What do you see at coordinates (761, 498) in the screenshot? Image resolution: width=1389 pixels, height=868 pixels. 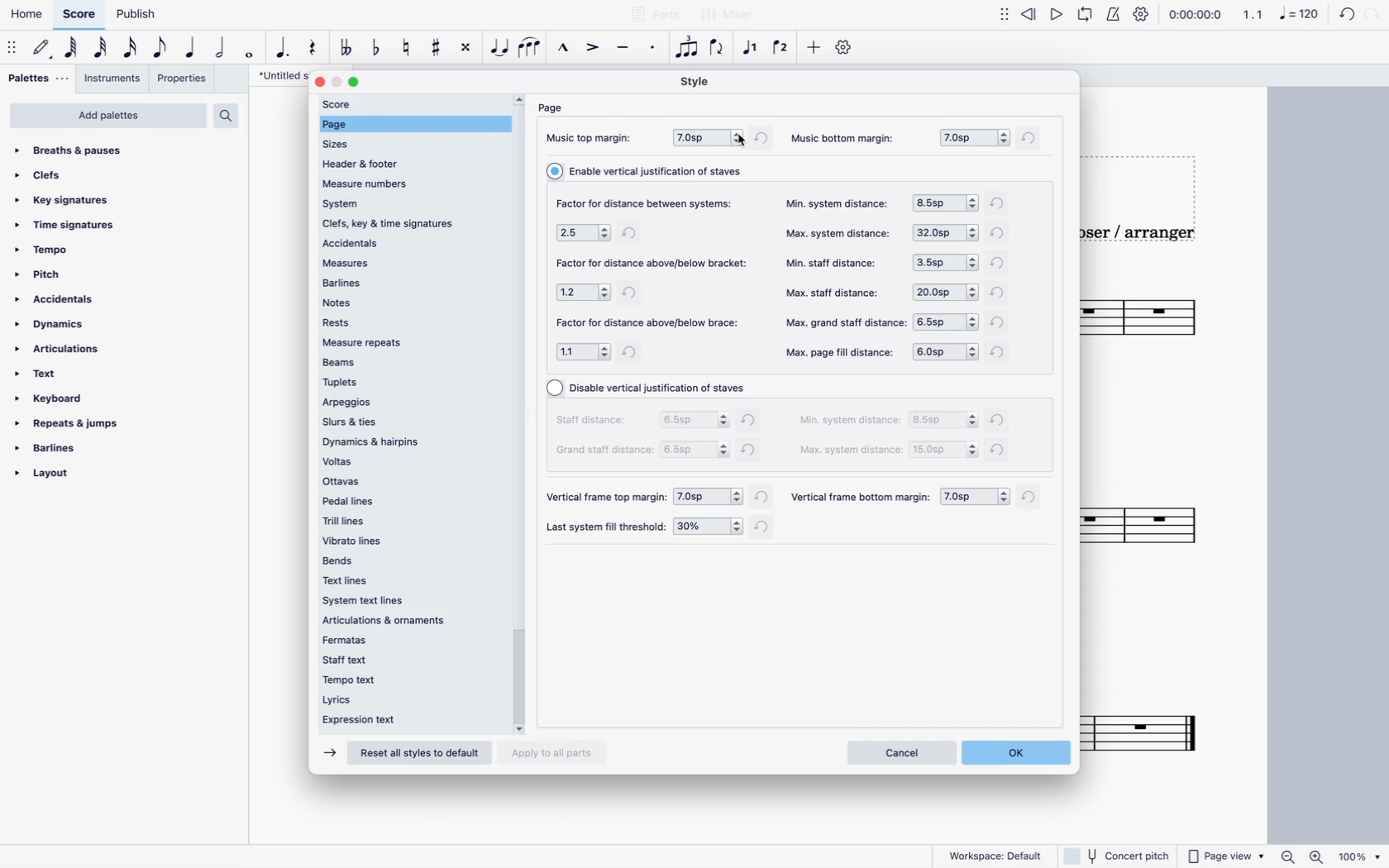 I see `refresh` at bounding box center [761, 498].